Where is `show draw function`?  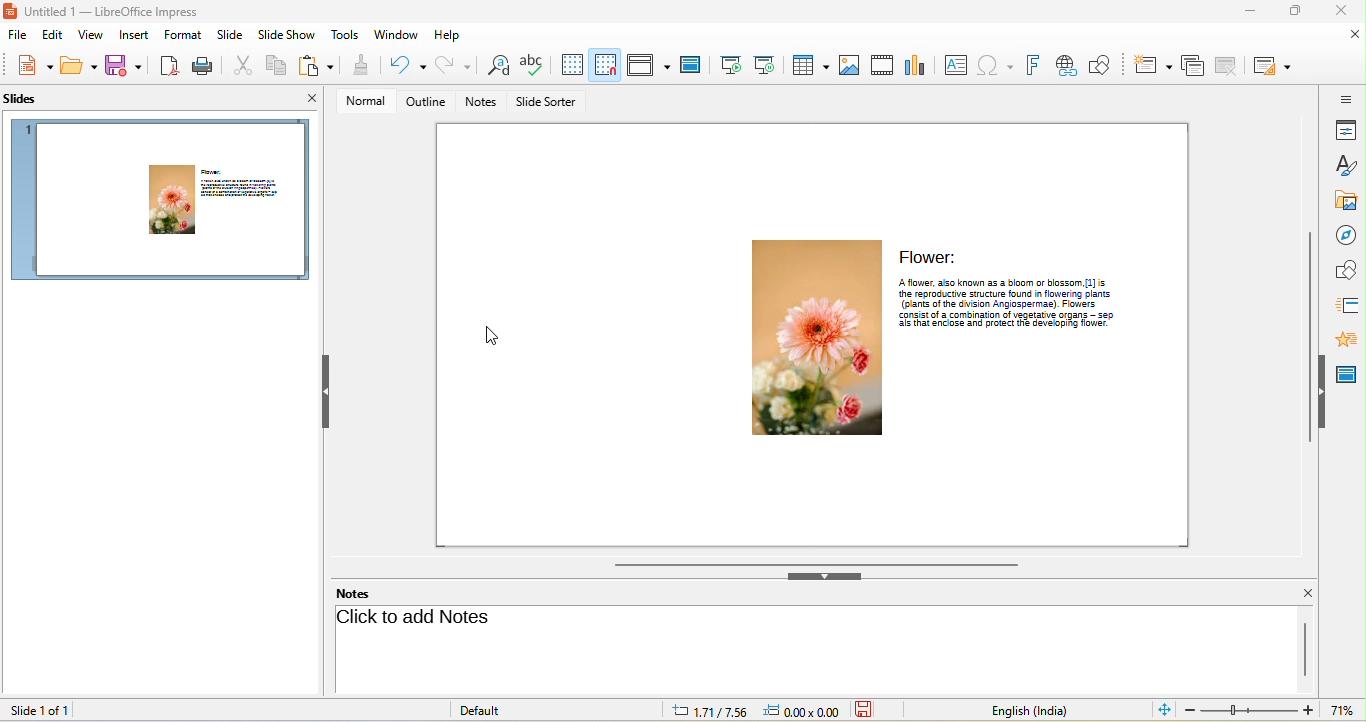
show draw function is located at coordinates (1103, 64).